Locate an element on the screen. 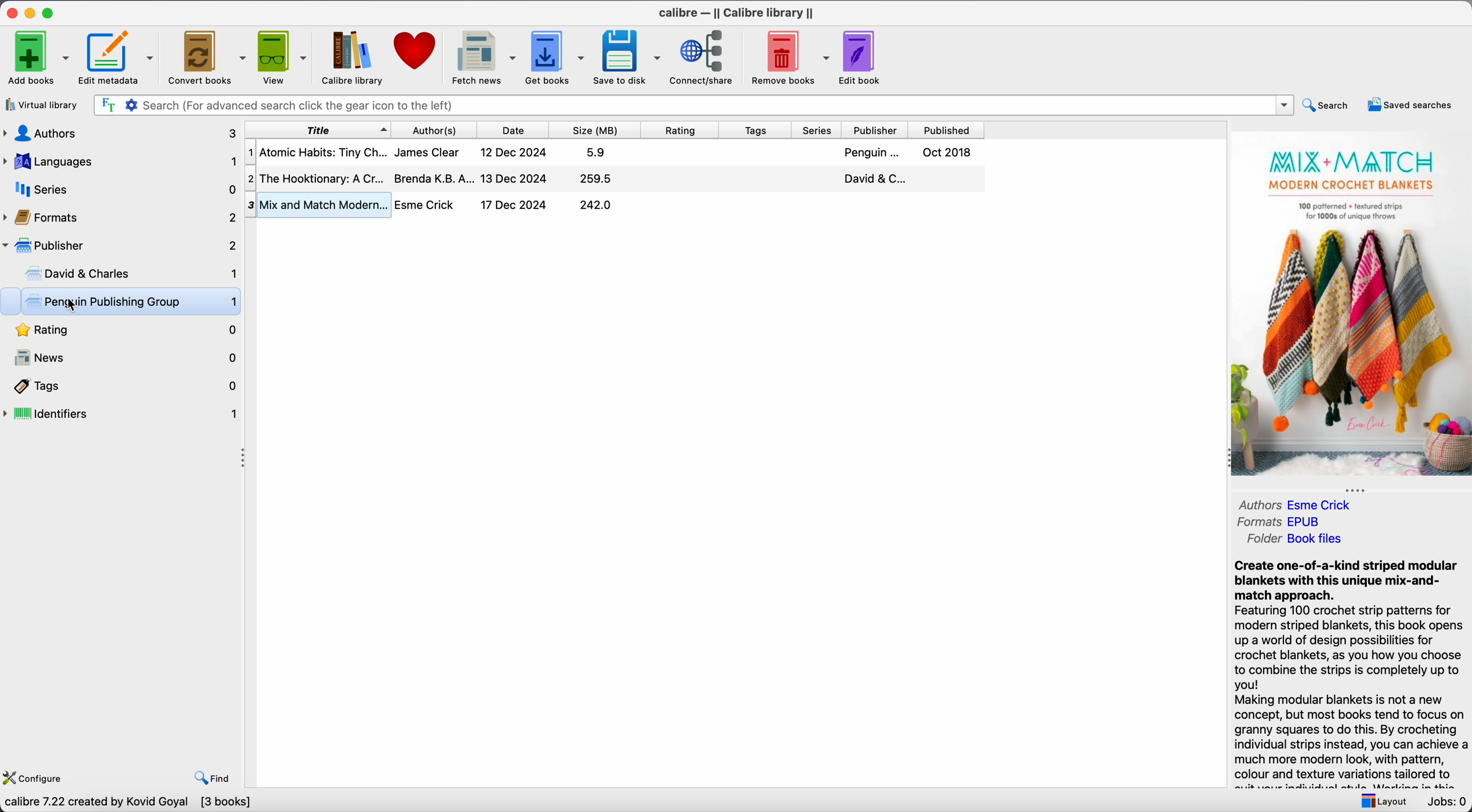  convert books is located at coordinates (207, 56).